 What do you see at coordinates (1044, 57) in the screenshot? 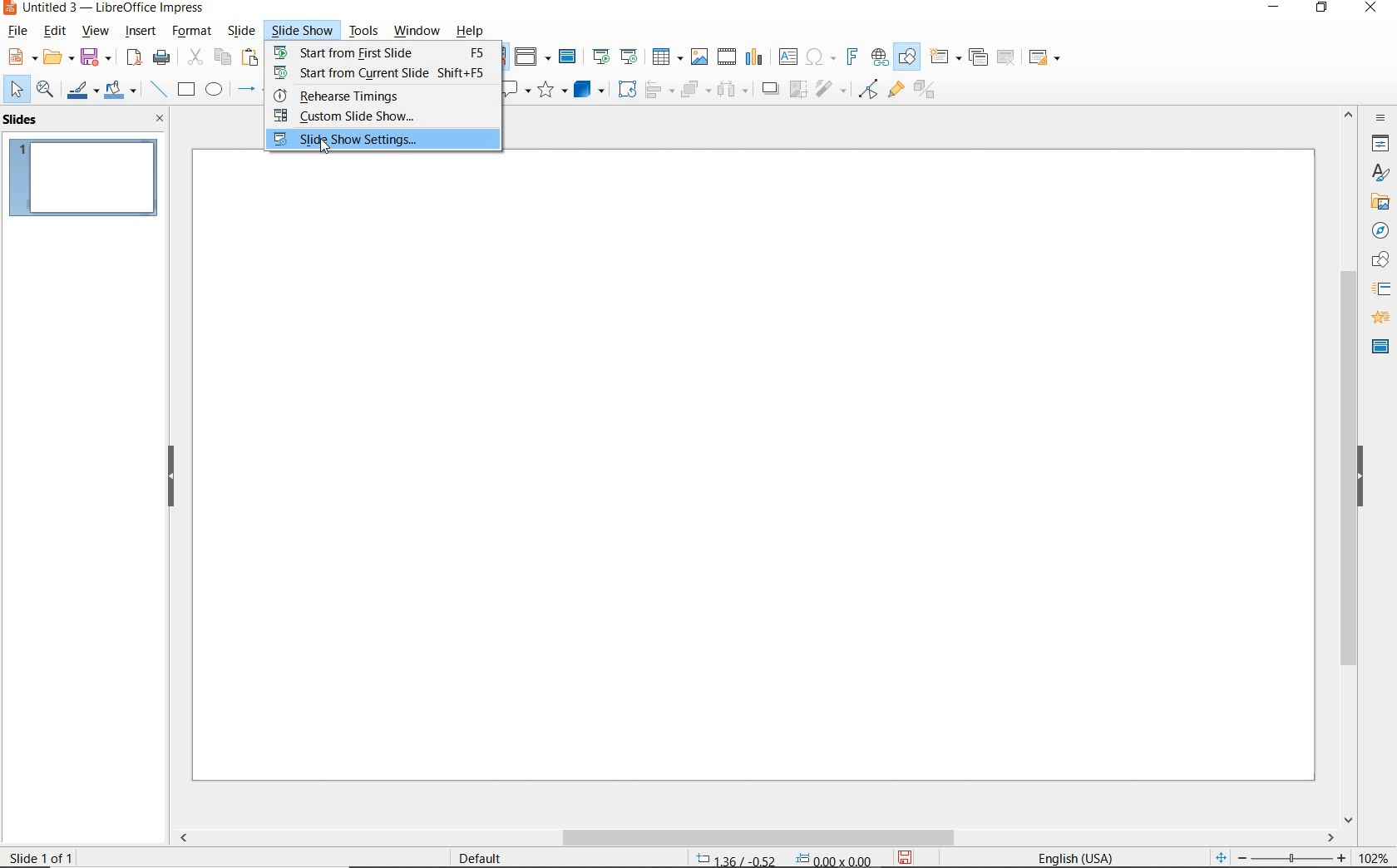
I see `SLIDE LAYOUT` at bounding box center [1044, 57].